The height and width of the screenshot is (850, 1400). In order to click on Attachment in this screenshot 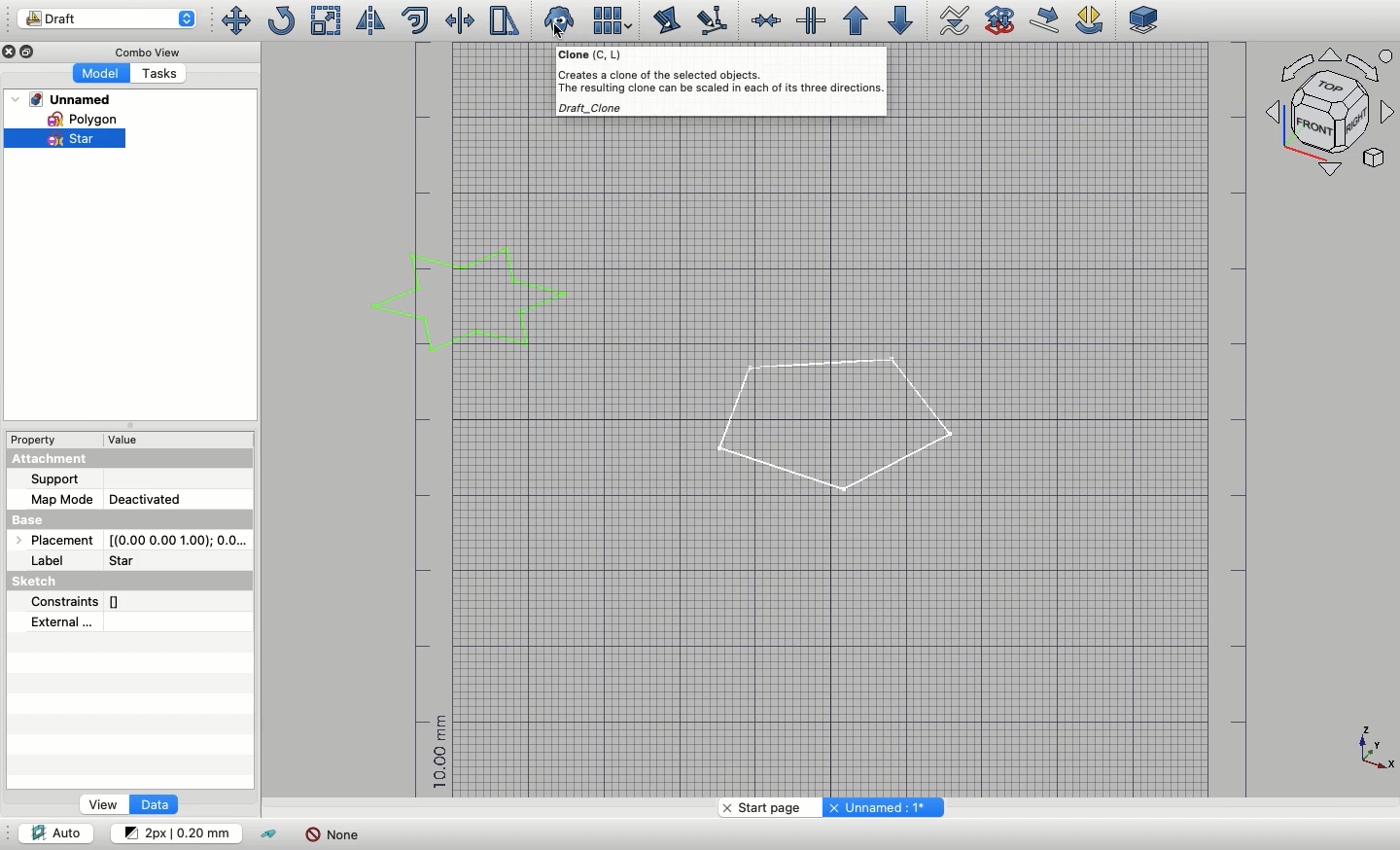, I will do `click(129, 458)`.